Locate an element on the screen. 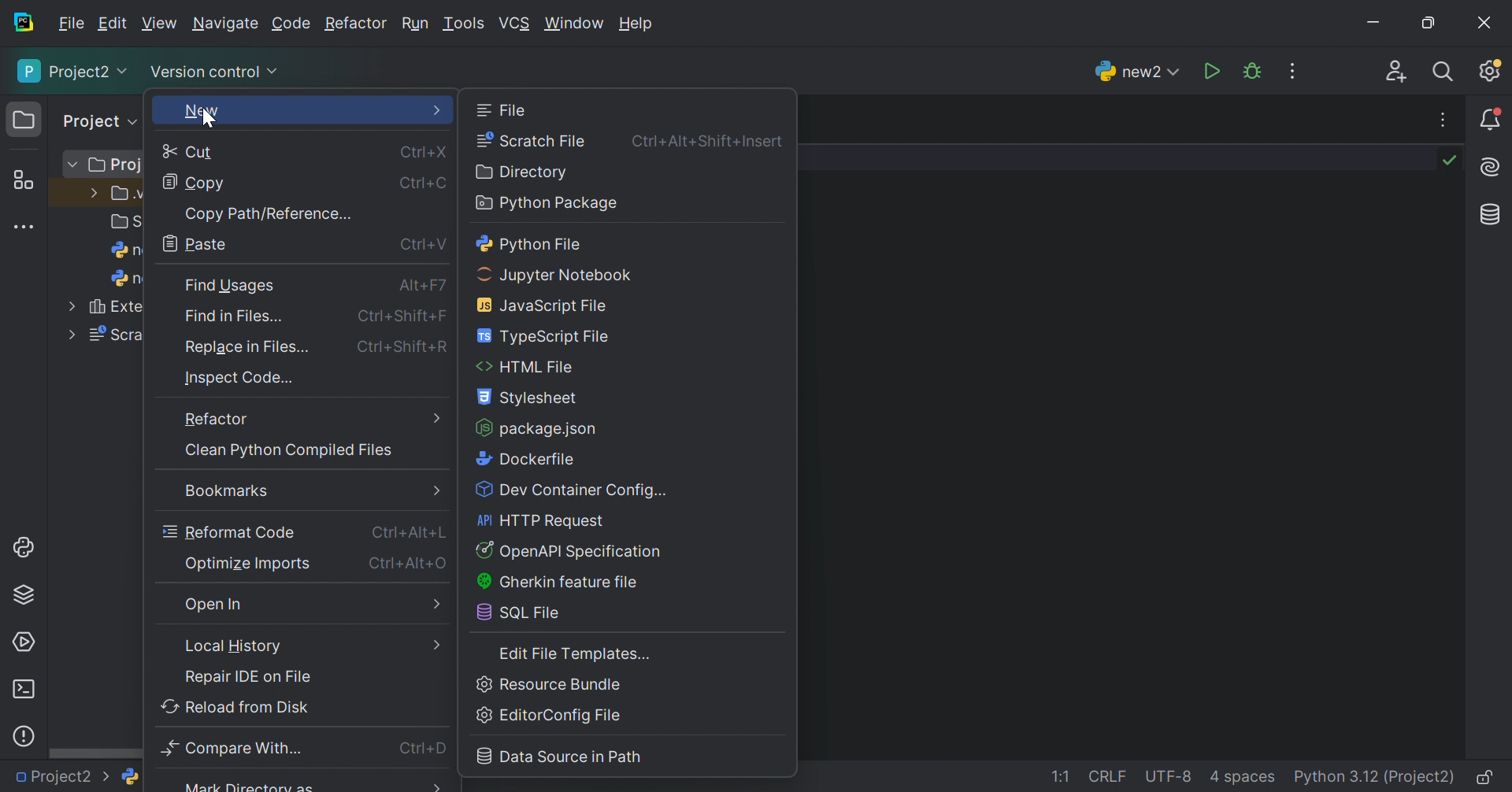  Paste is located at coordinates (199, 244).